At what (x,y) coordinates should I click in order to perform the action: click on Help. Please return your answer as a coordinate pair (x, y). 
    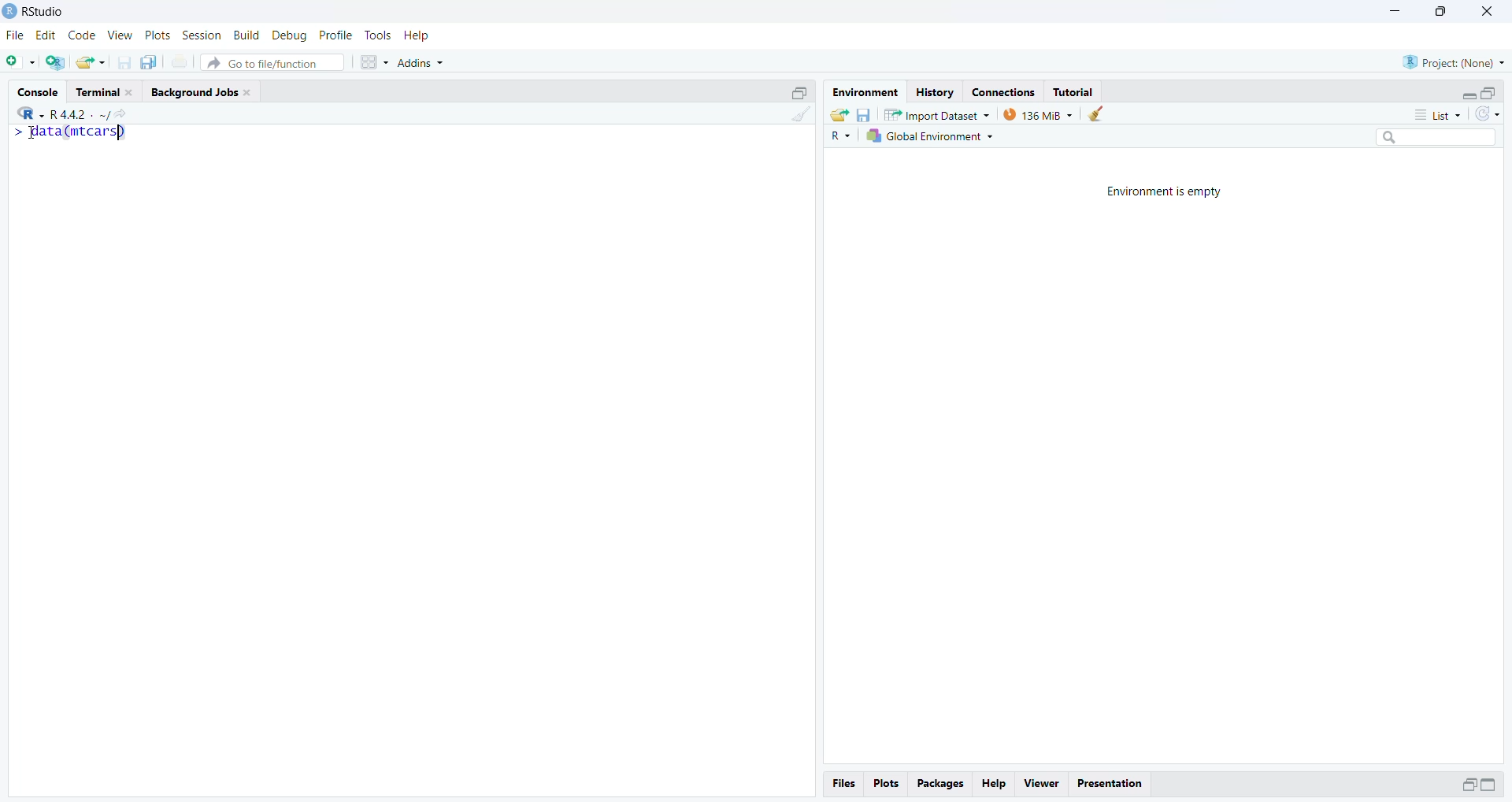
    Looking at the image, I should click on (996, 784).